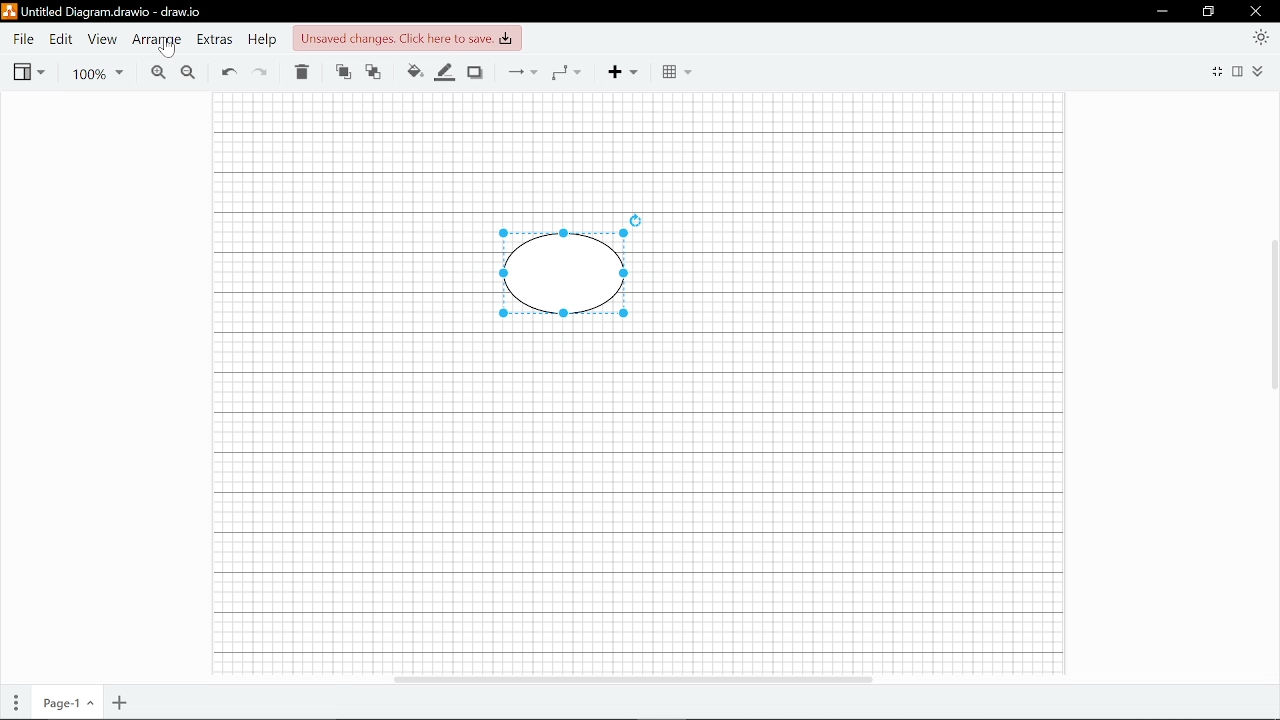 The width and height of the screenshot is (1280, 720). I want to click on View, so click(28, 72).